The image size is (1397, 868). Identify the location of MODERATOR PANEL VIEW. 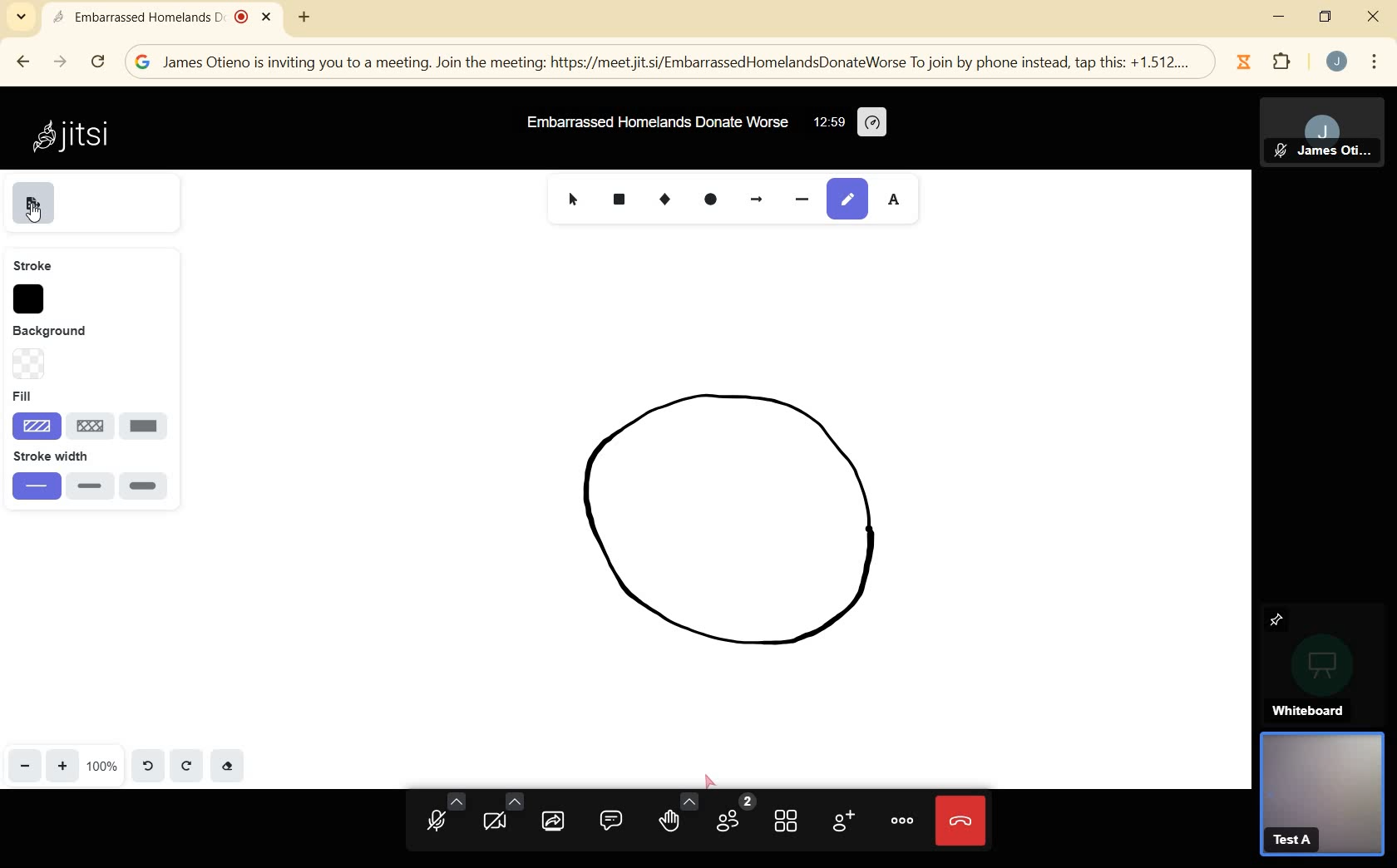
(1329, 133).